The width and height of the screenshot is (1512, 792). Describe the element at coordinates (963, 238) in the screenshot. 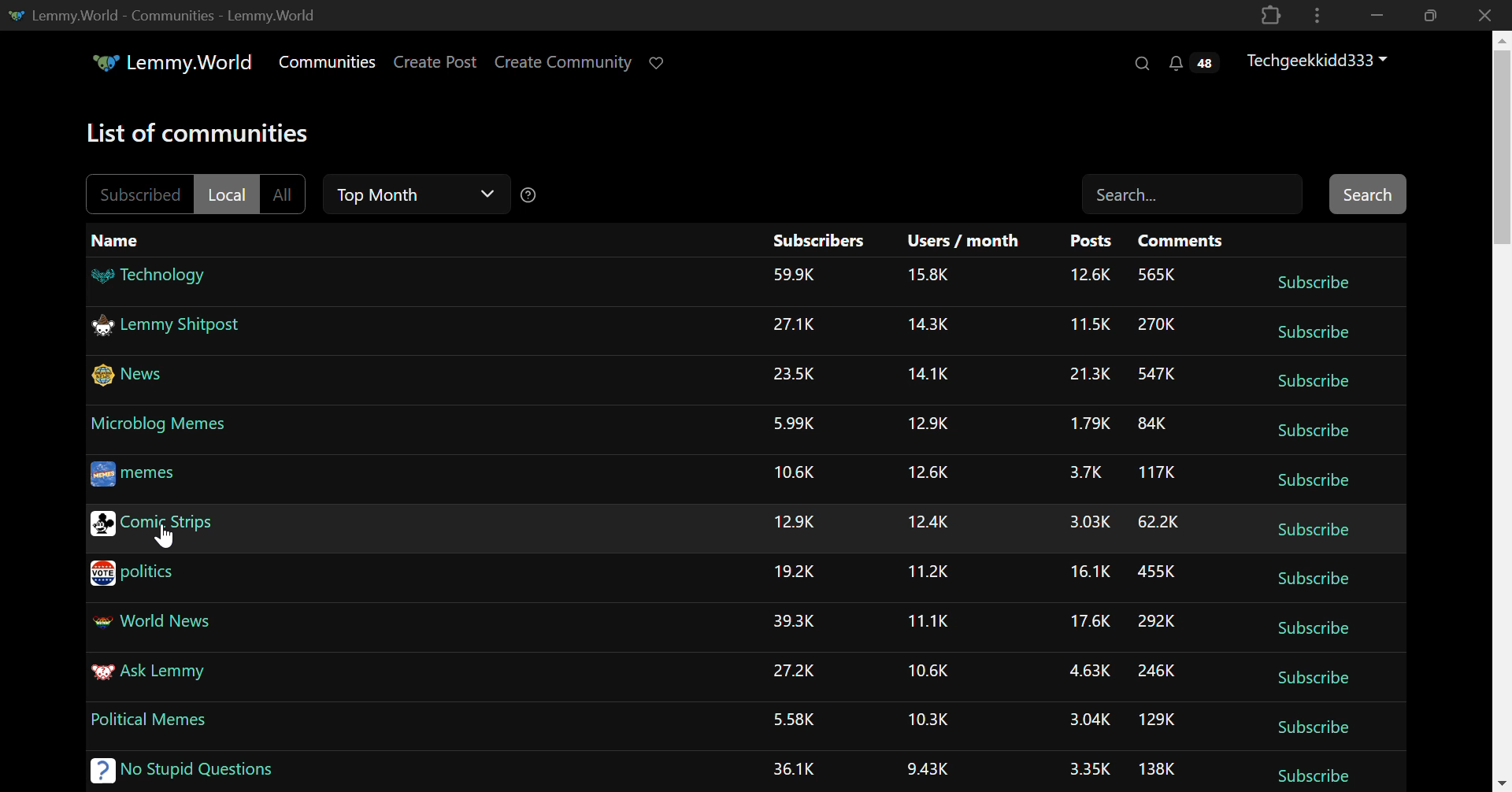

I see `Users/month` at that location.